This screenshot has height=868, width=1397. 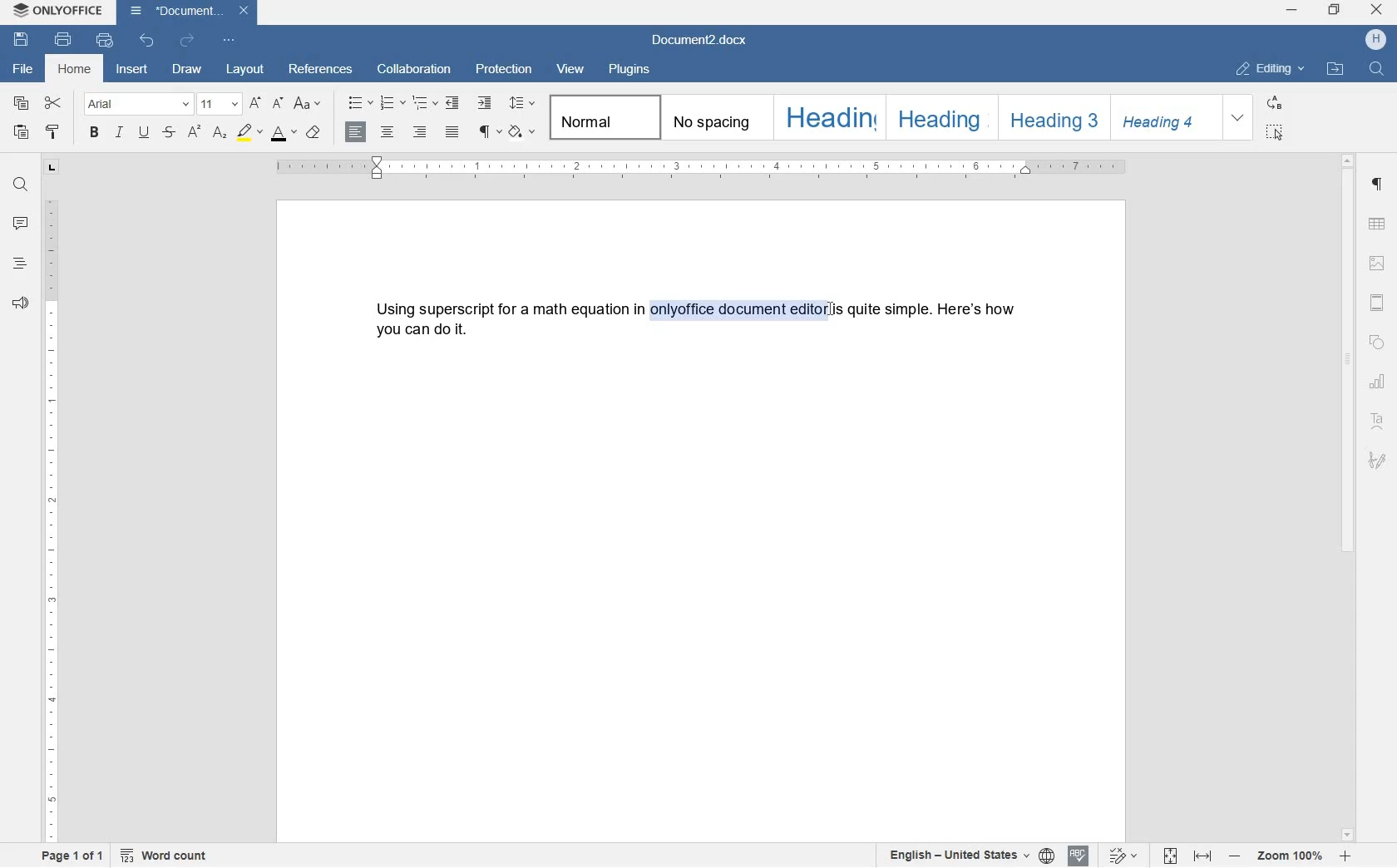 I want to click on shading, so click(x=521, y=133).